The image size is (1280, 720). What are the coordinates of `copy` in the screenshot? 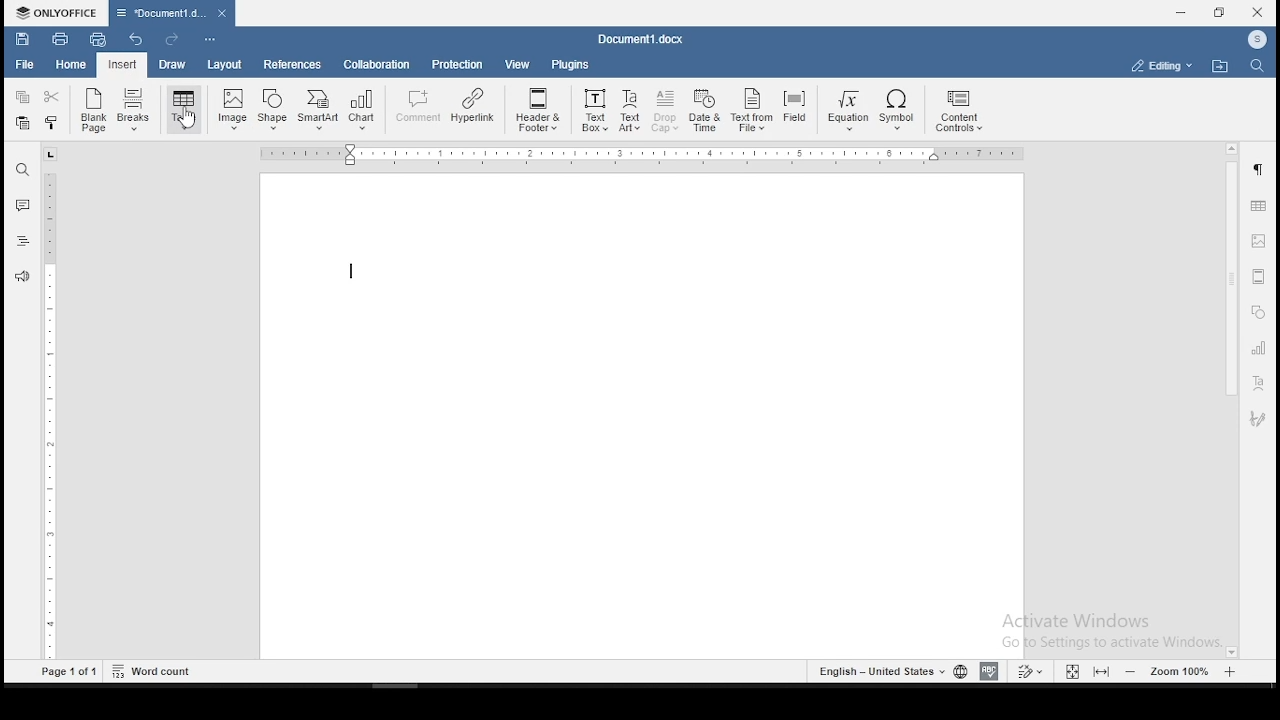 It's located at (23, 97).